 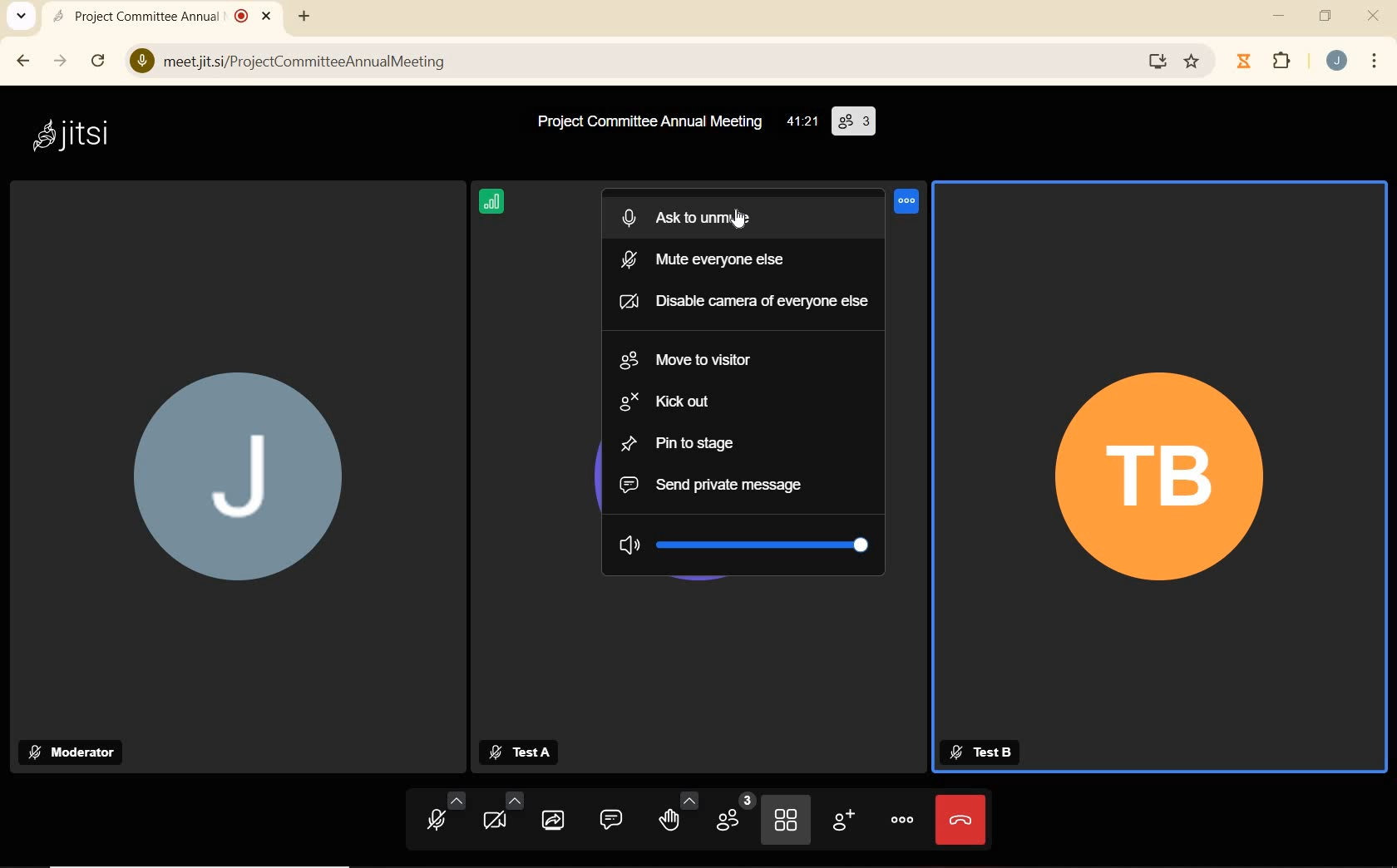 What do you see at coordinates (682, 443) in the screenshot?
I see `PIN TO STAGE` at bounding box center [682, 443].